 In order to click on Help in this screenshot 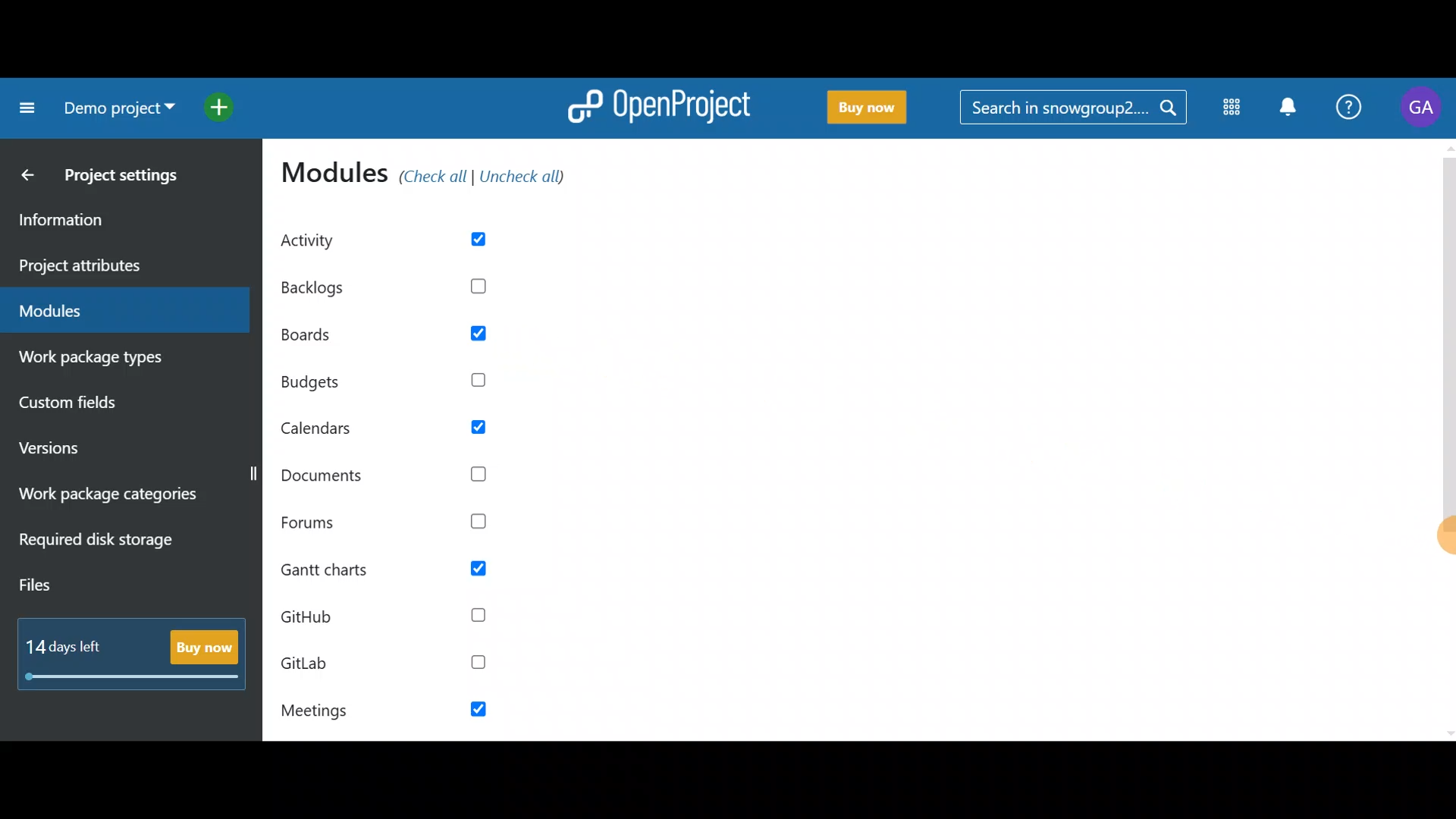, I will do `click(1347, 111)`.